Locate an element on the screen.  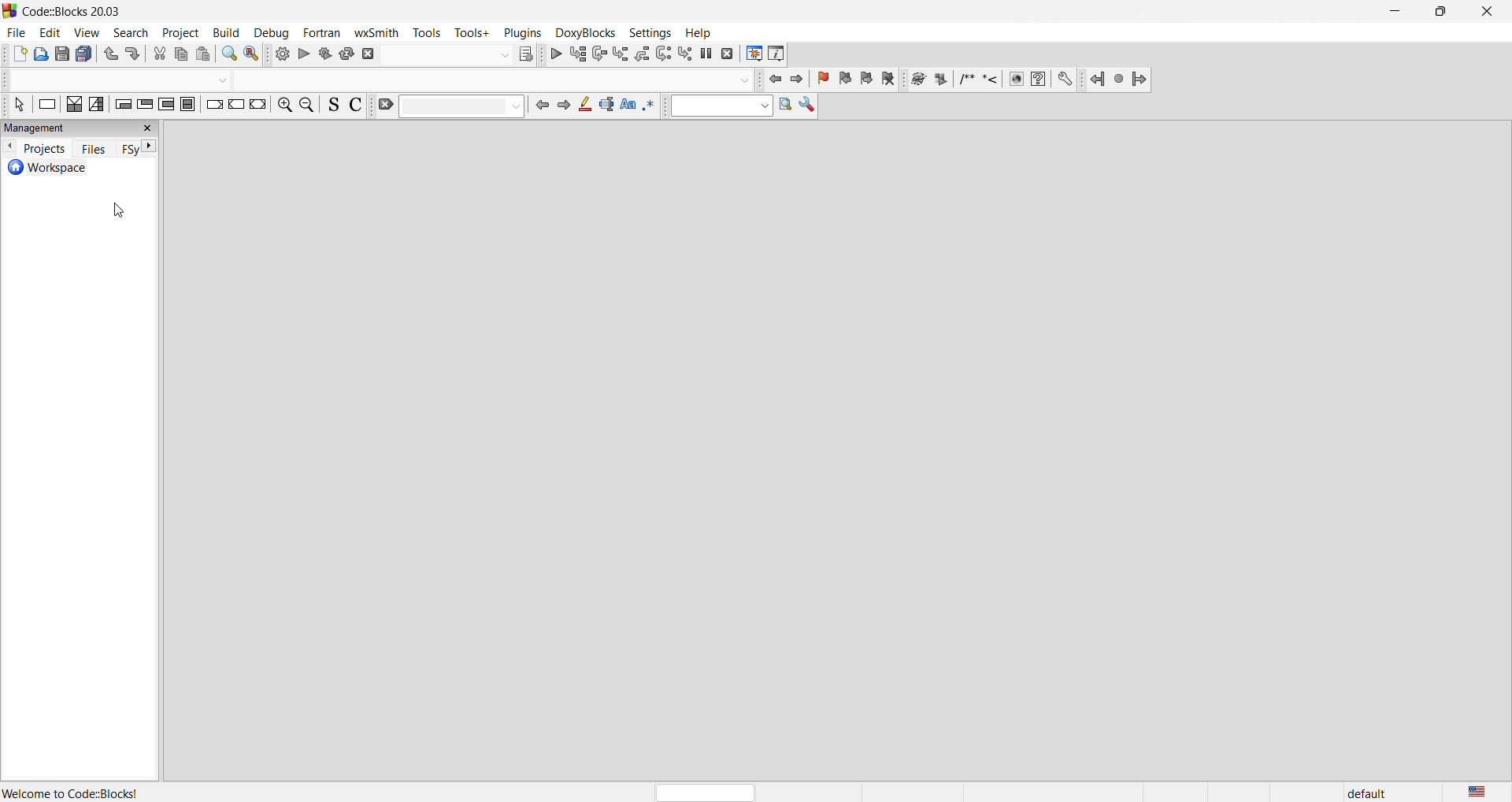
previous bookmark is located at coordinates (845, 81).